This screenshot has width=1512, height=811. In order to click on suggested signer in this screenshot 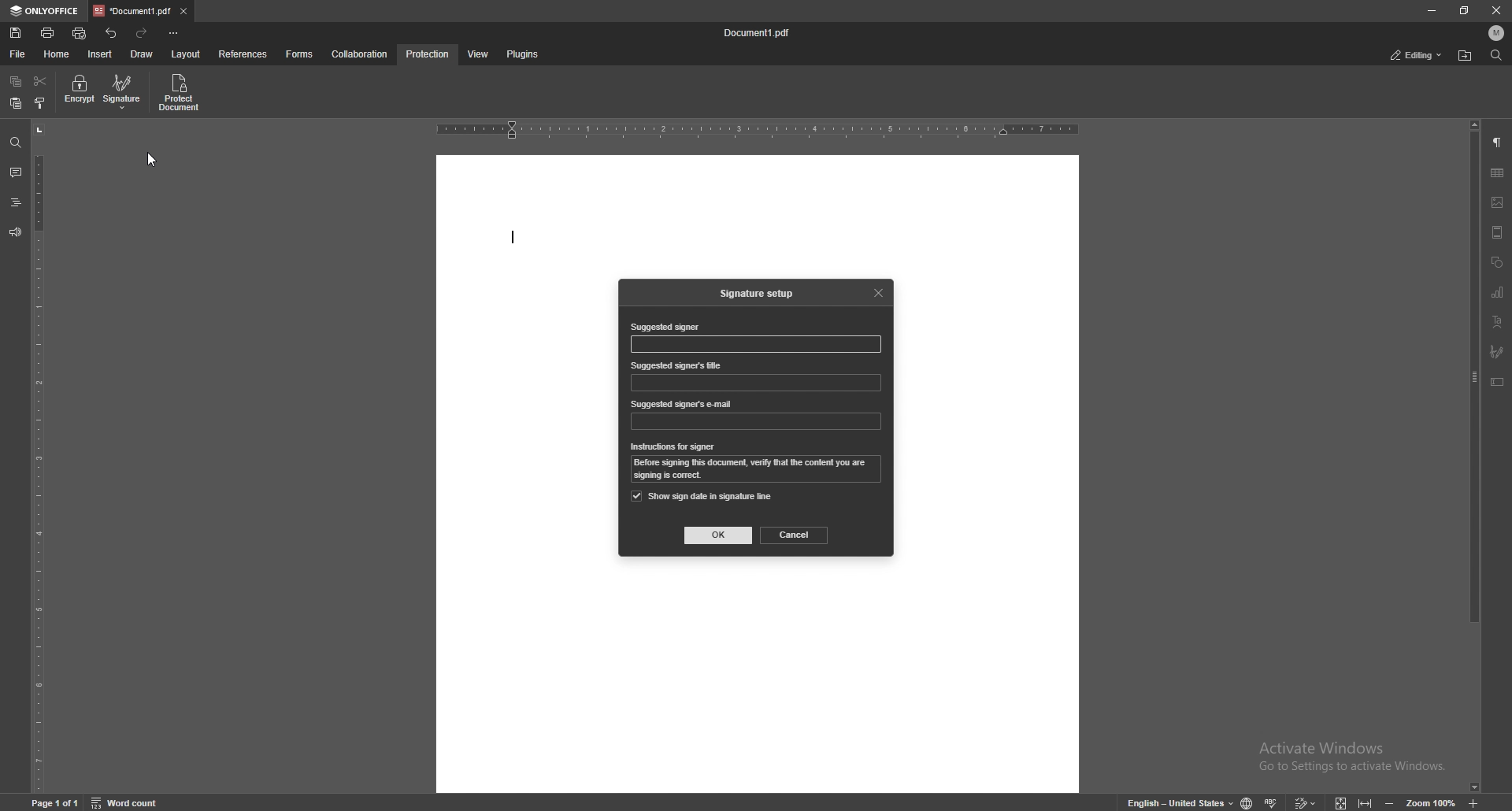, I will do `click(664, 328)`.